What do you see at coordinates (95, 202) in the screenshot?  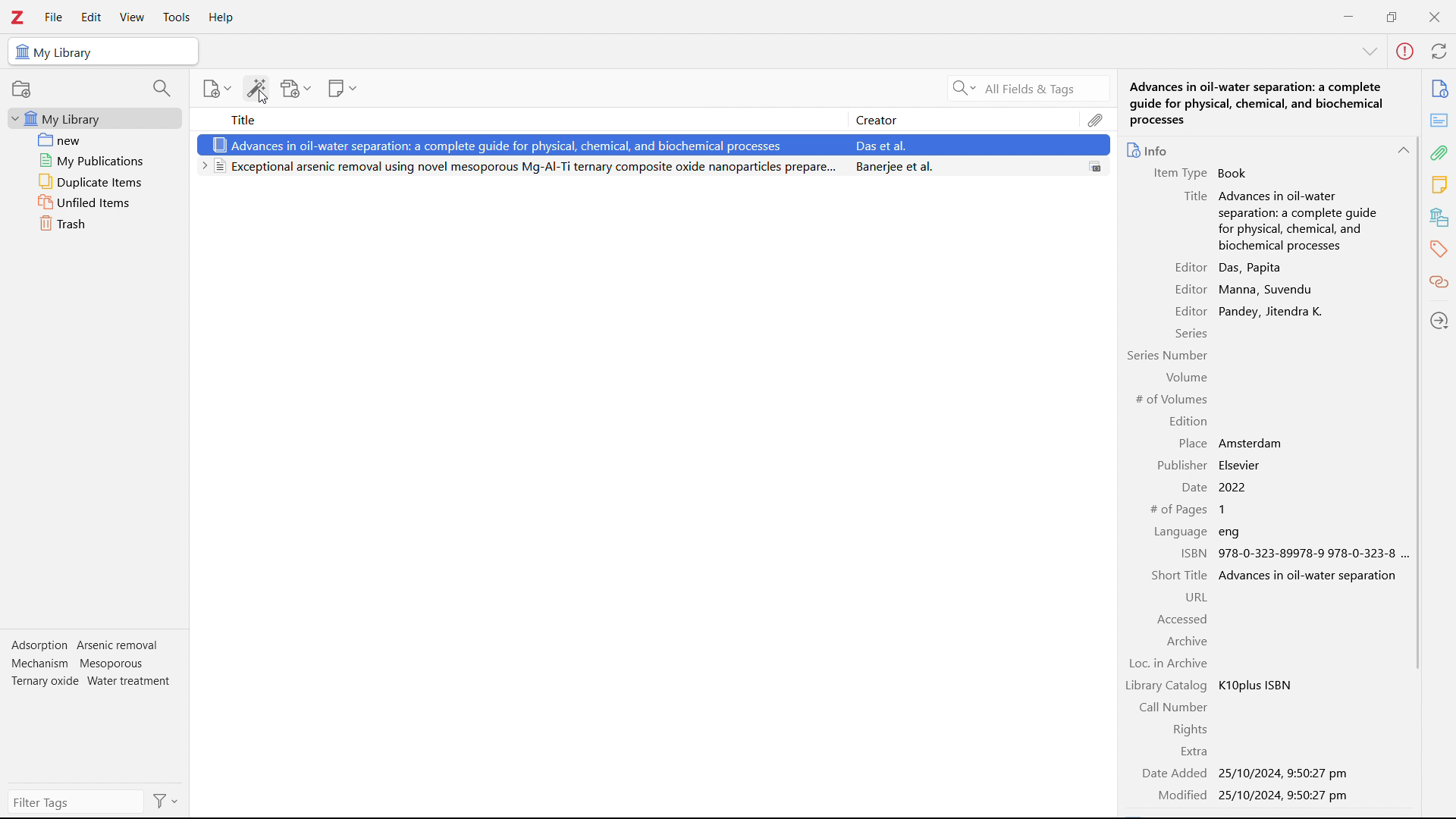 I see `unfiled items` at bounding box center [95, 202].